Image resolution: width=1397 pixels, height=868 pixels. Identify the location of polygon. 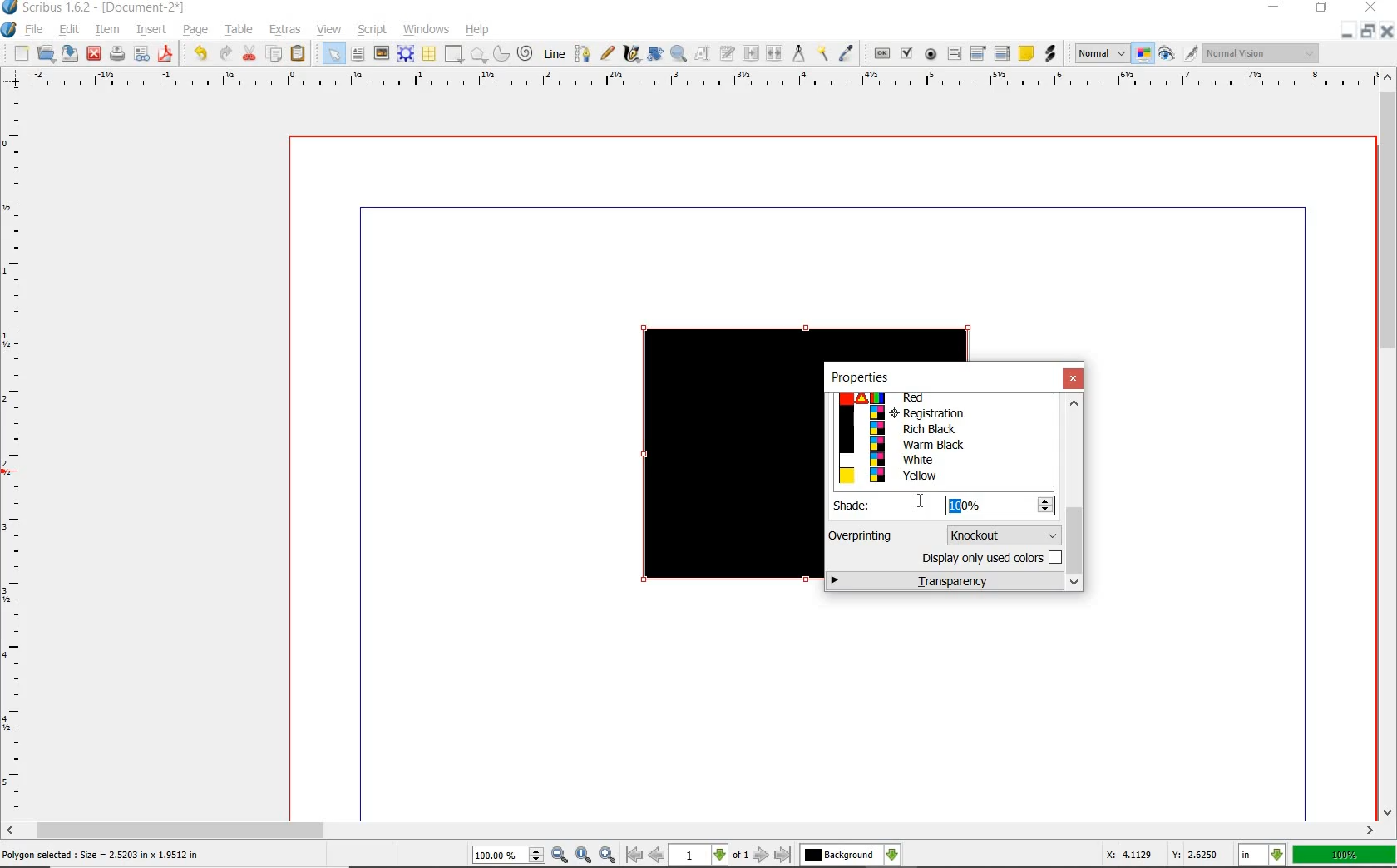
(478, 53).